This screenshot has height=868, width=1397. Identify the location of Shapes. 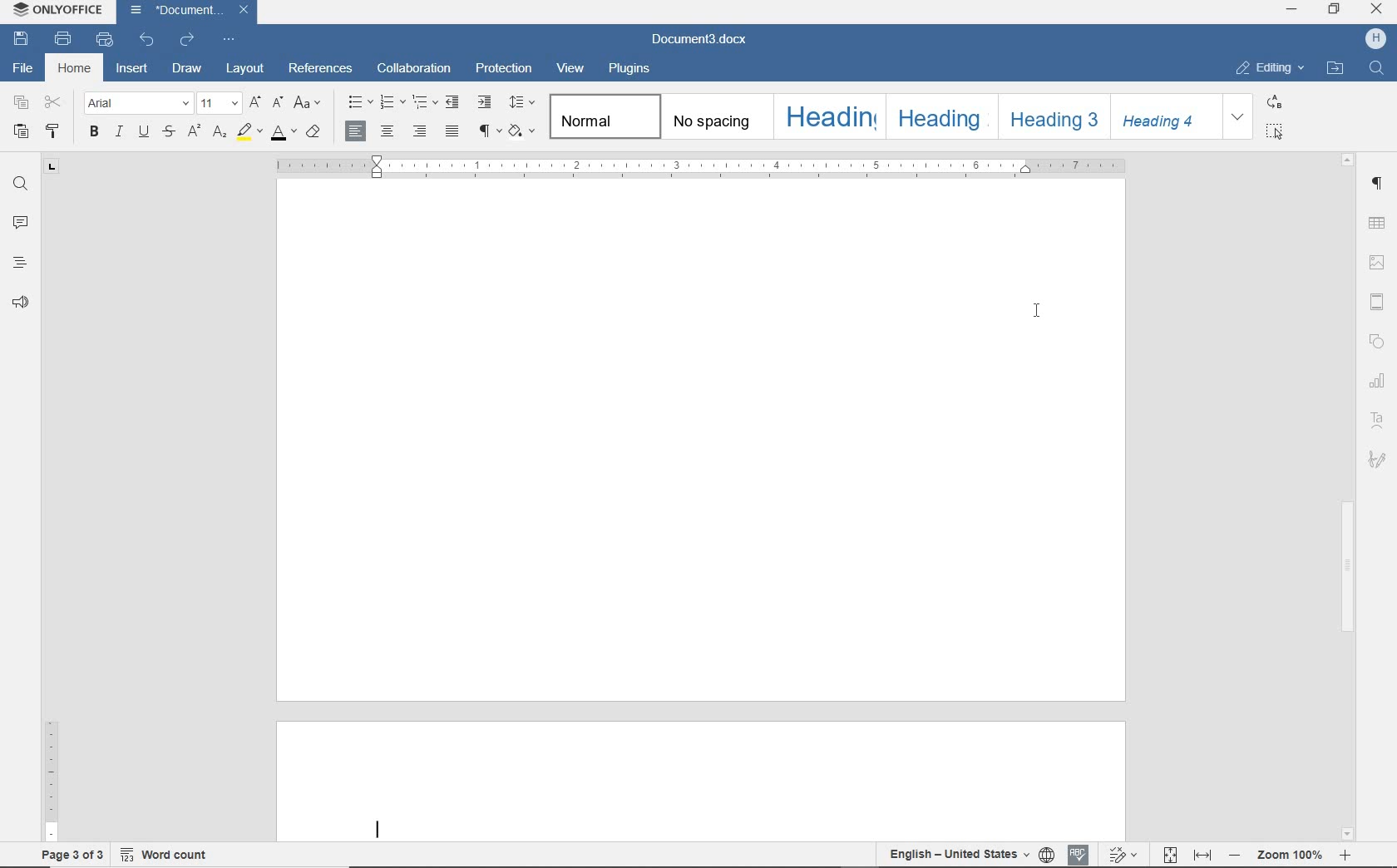
(1381, 343).